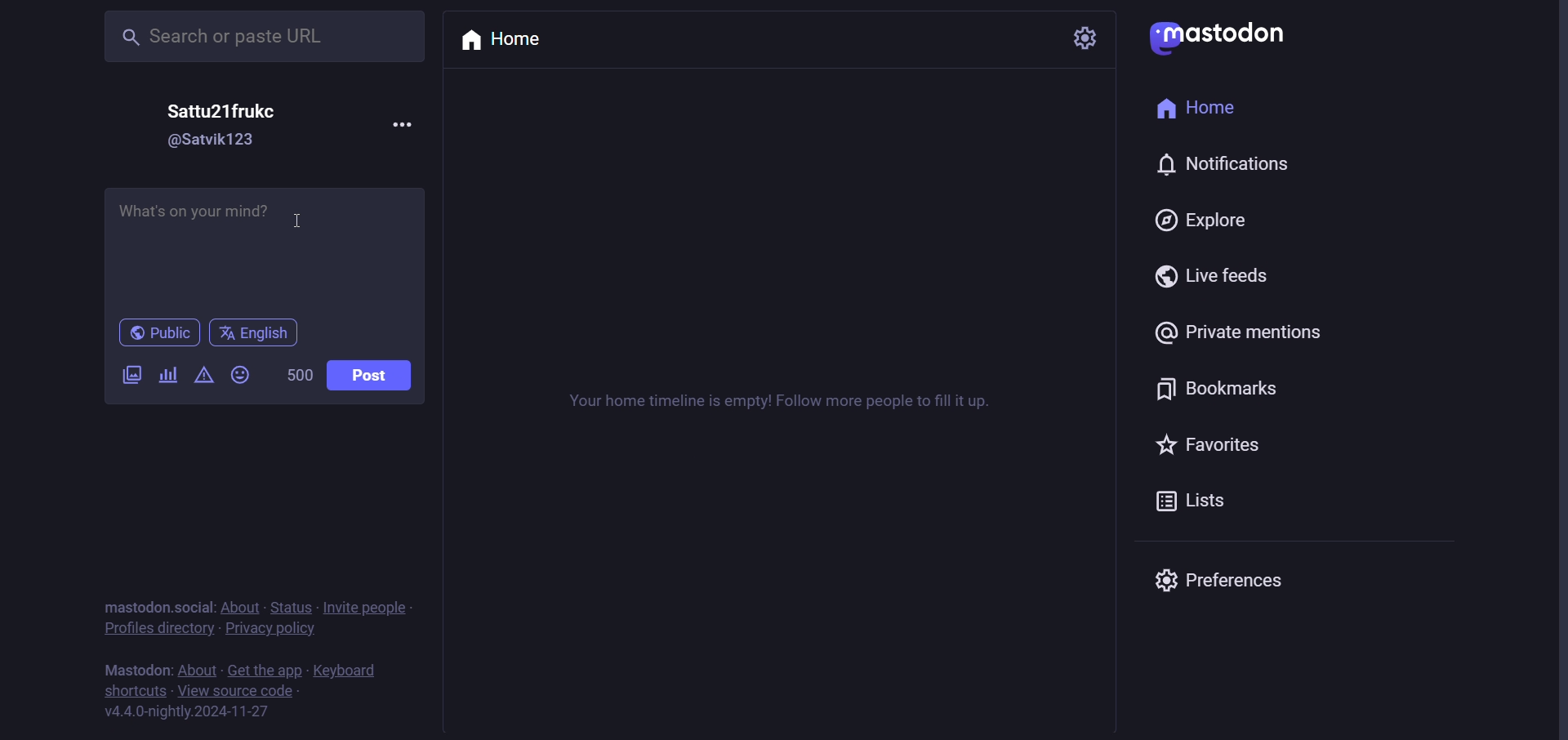 This screenshot has height=740, width=1568. I want to click on Search or paste URL, so click(267, 38).